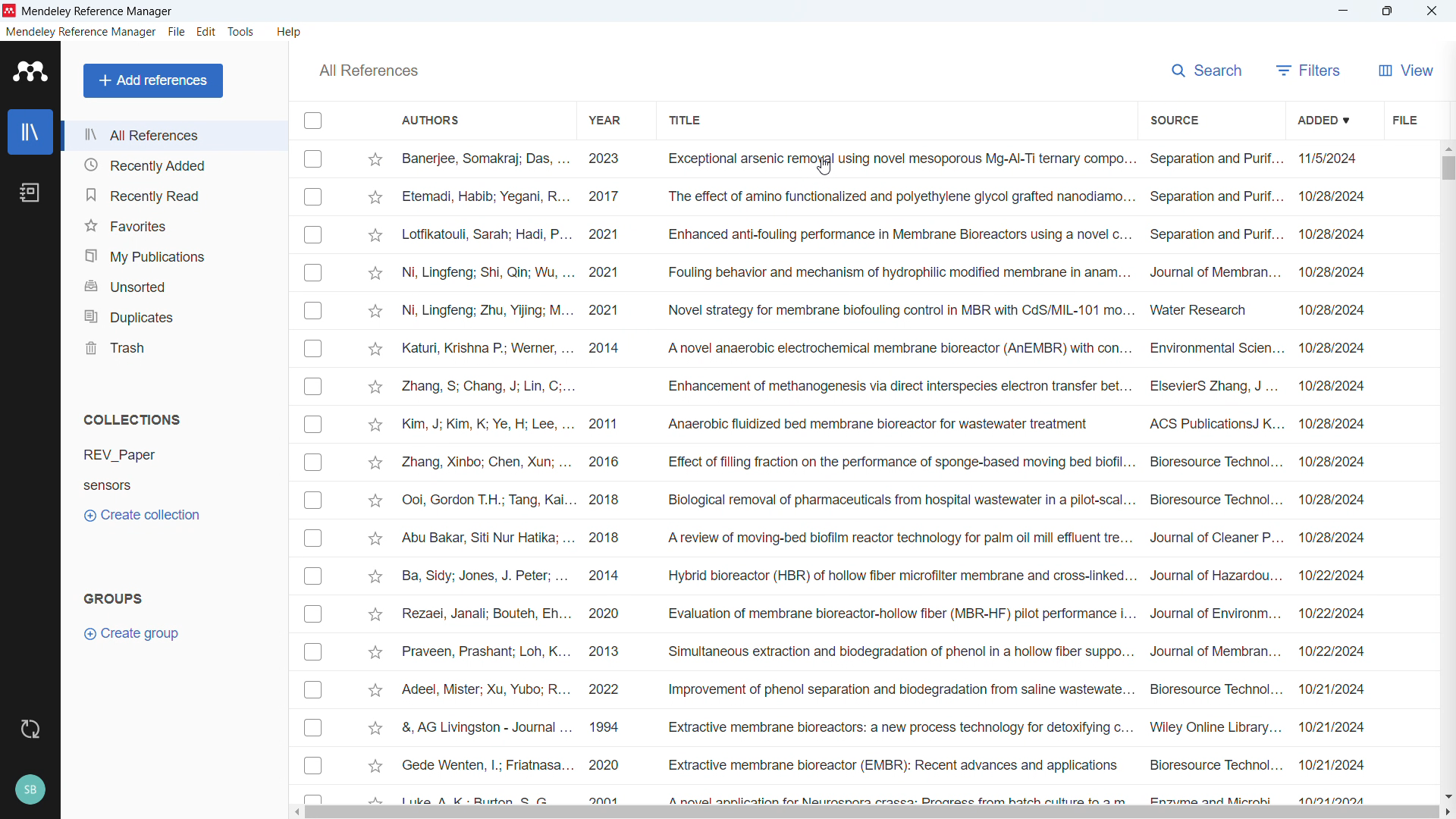  What do you see at coordinates (896, 386) in the screenshot?
I see `enhancement of methanogenesis via direct interspecies electron transfer bet` at bounding box center [896, 386].